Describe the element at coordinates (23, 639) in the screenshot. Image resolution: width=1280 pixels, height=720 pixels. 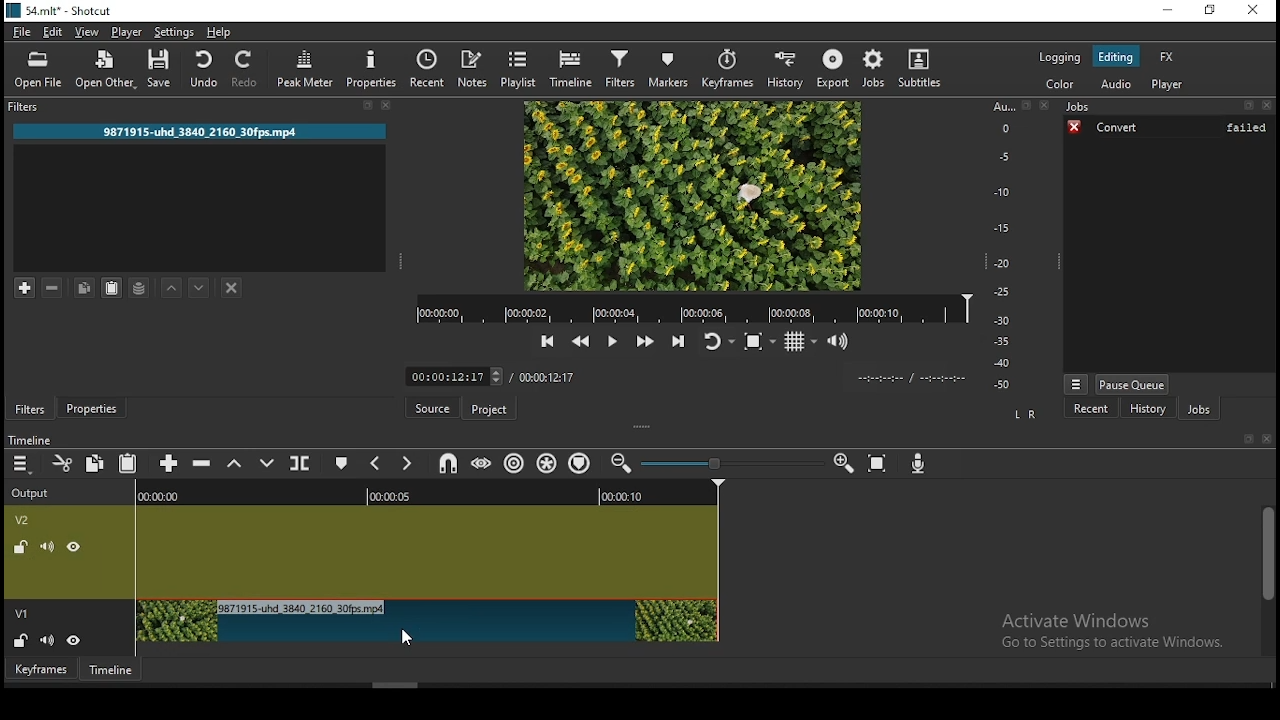
I see `(un)locked` at that location.